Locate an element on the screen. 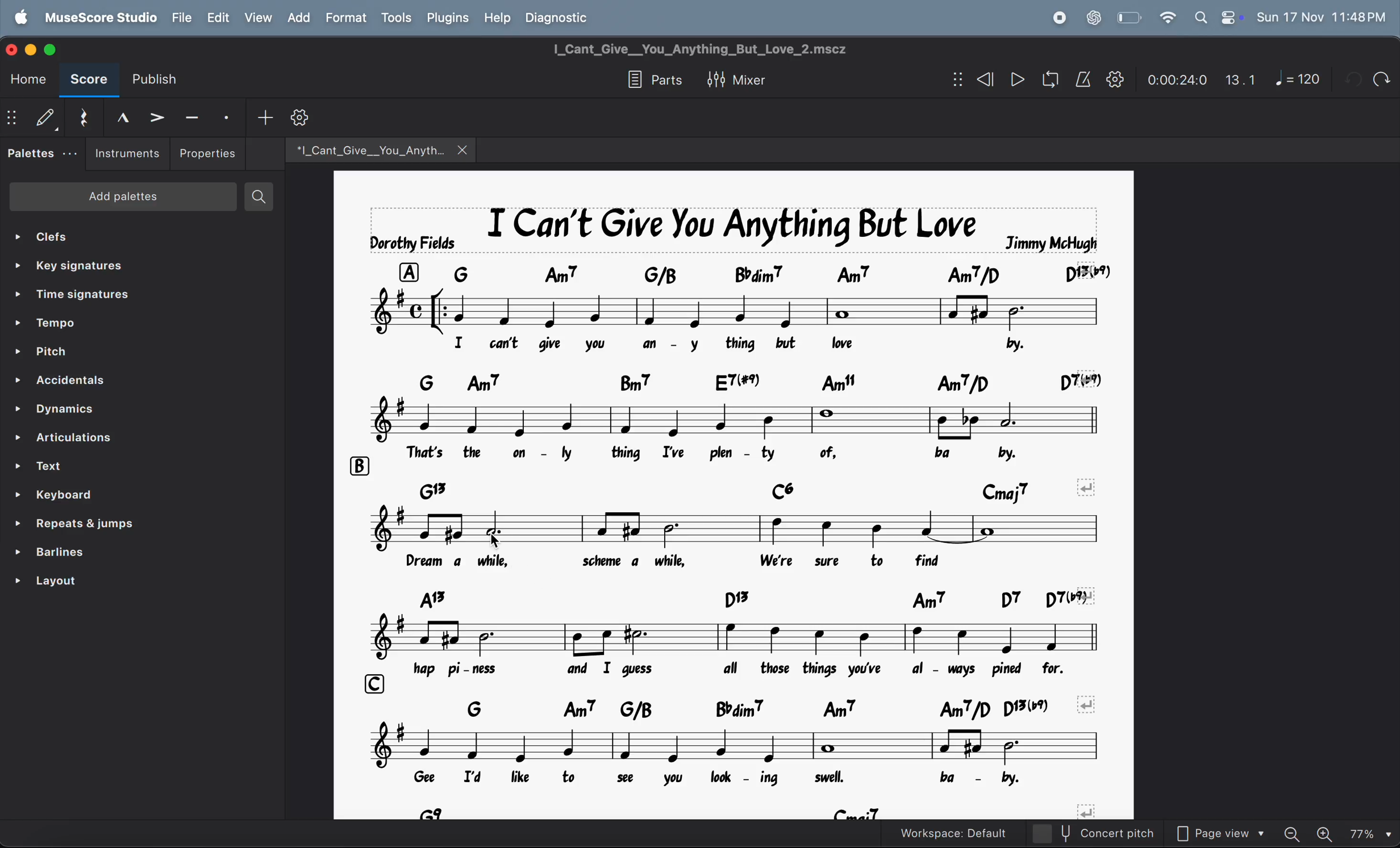 The width and height of the screenshot is (1400, 848). title is located at coordinates (708, 51).